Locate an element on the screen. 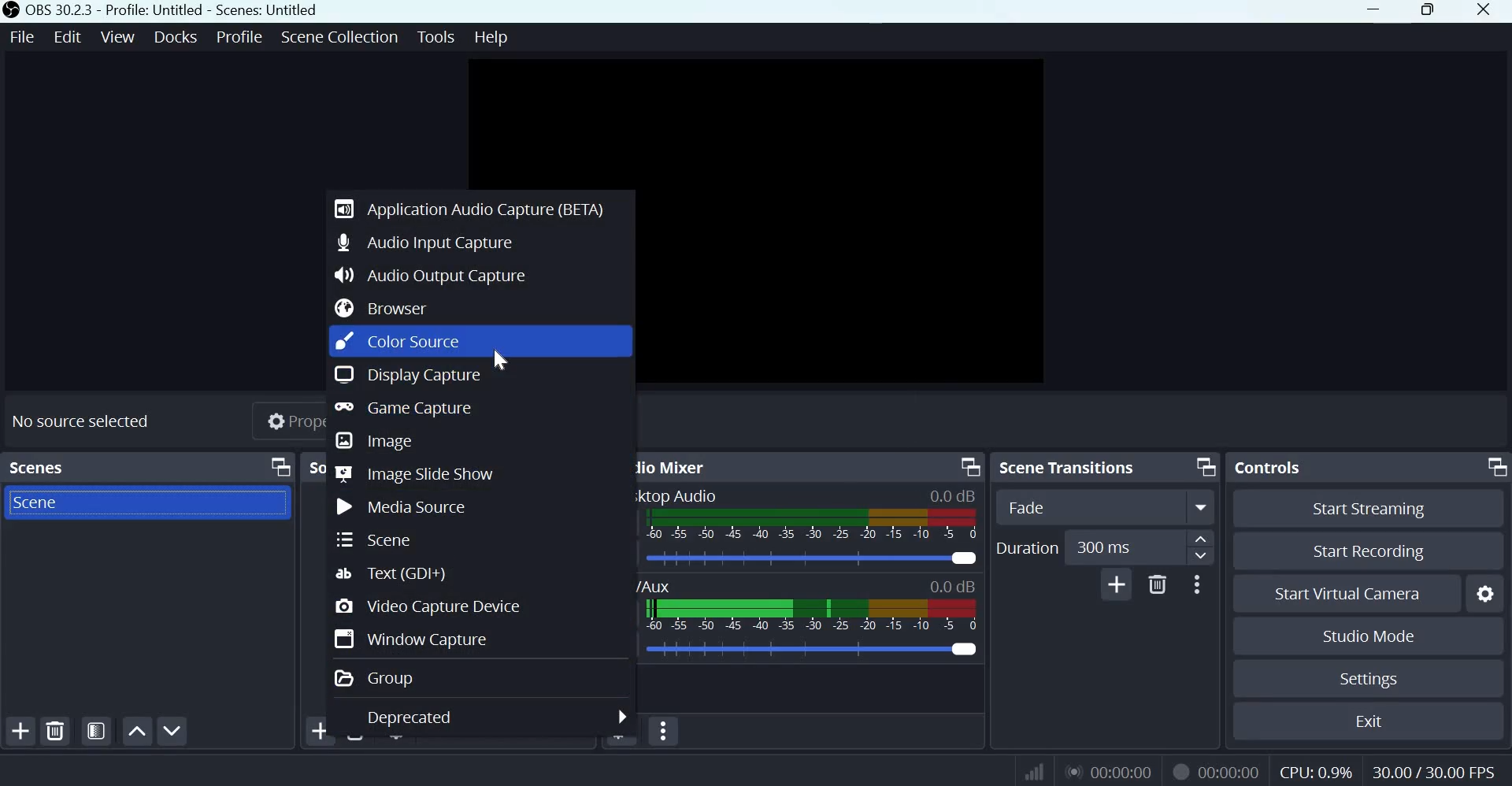  Audio Level Indicator is located at coordinates (953, 495).